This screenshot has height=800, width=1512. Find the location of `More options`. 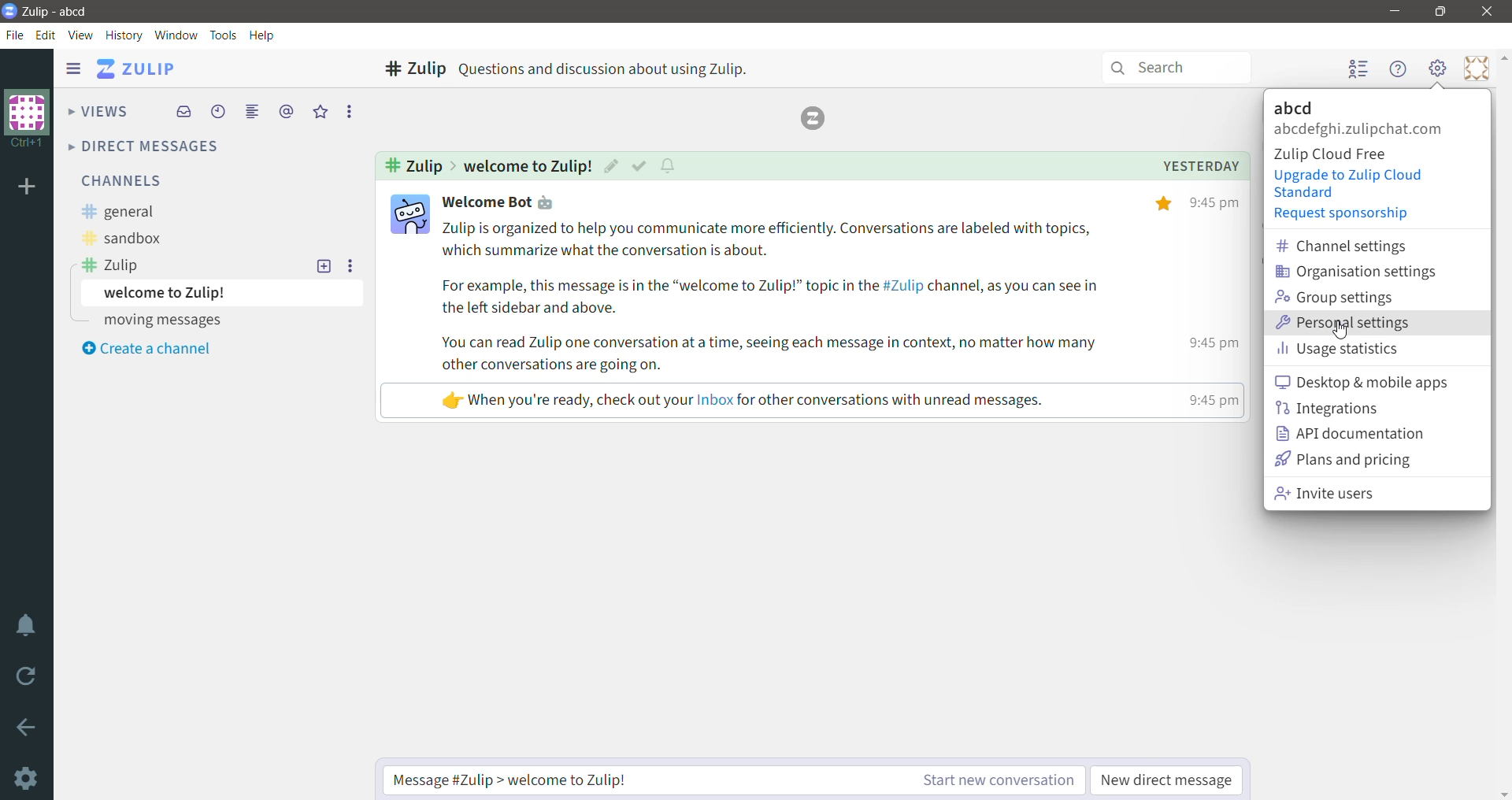

More options is located at coordinates (352, 265).